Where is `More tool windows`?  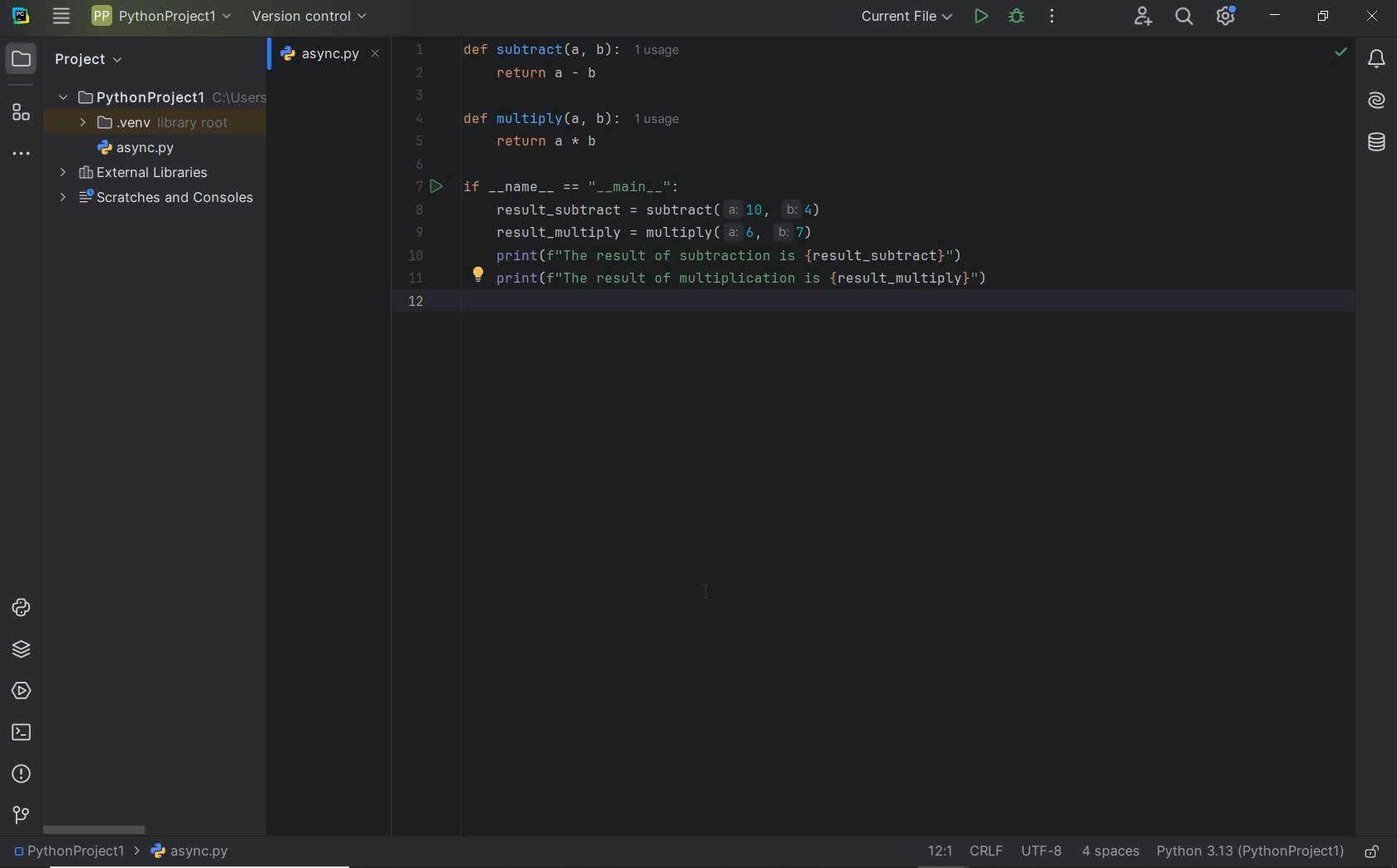
More tool windows is located at coordinates (22, 150).